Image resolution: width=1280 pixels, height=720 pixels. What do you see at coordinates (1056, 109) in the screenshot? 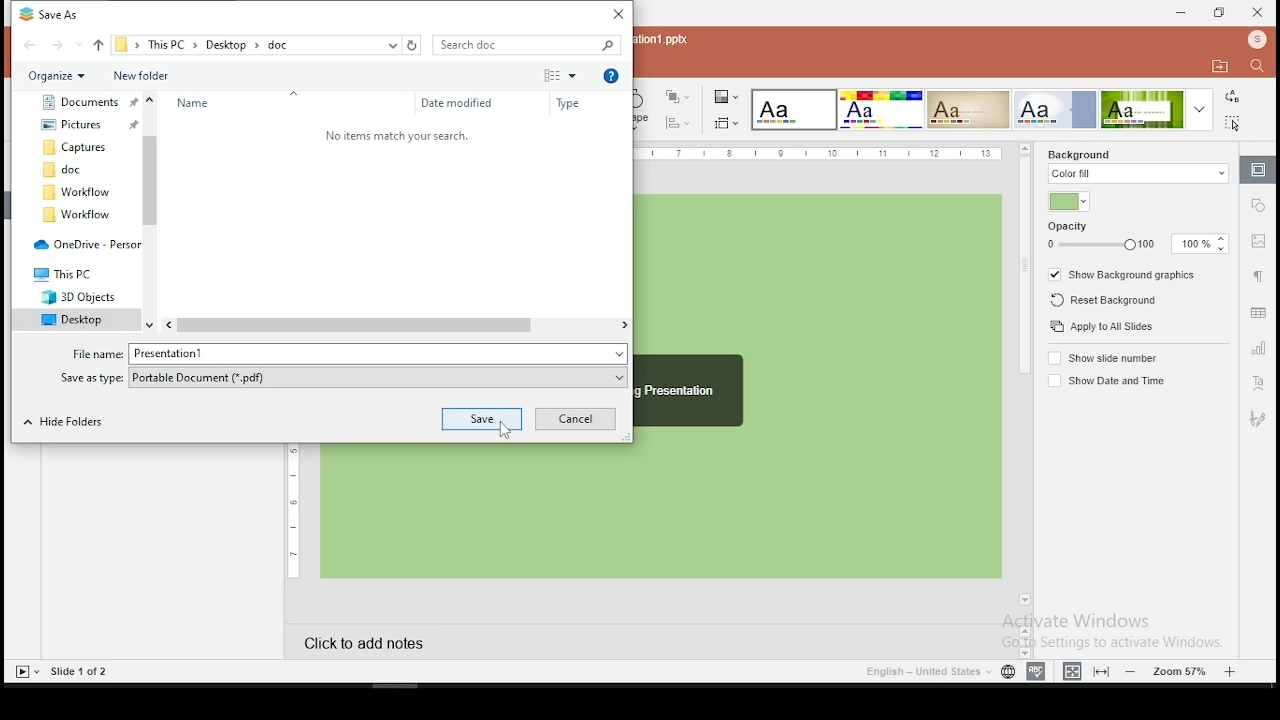
I see `select color theme` at bounding box center [1056, 109].